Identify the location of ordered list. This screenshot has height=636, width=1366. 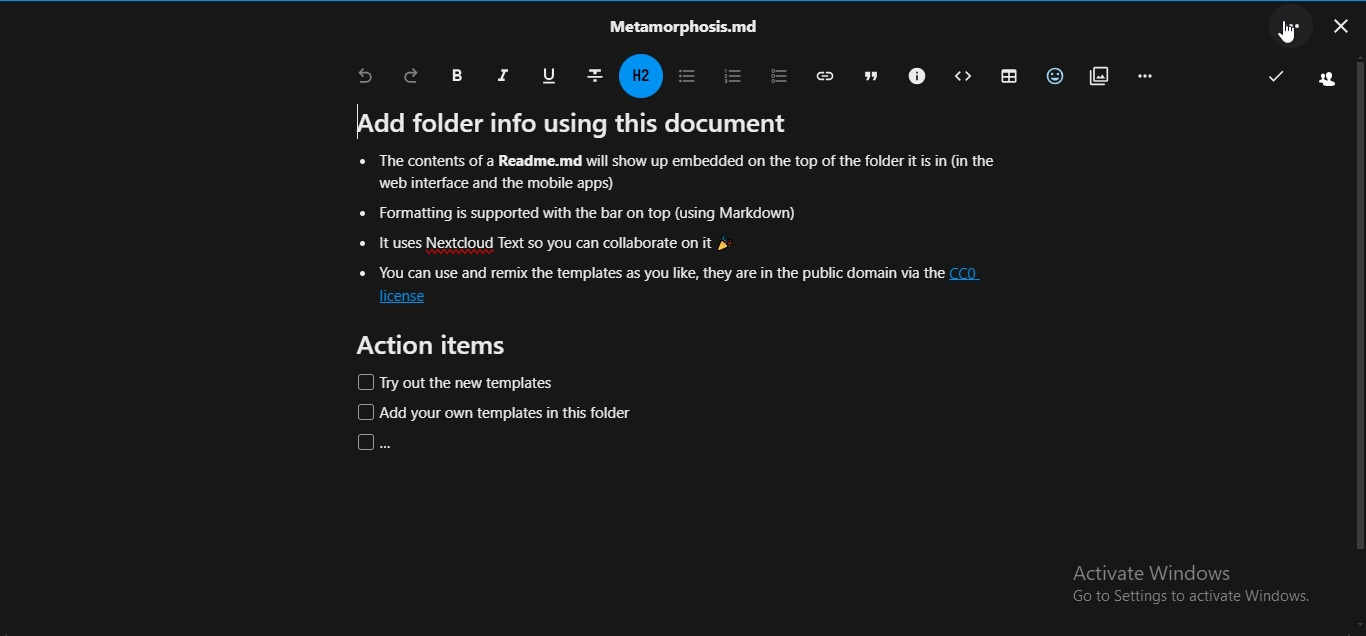
(731, 74).